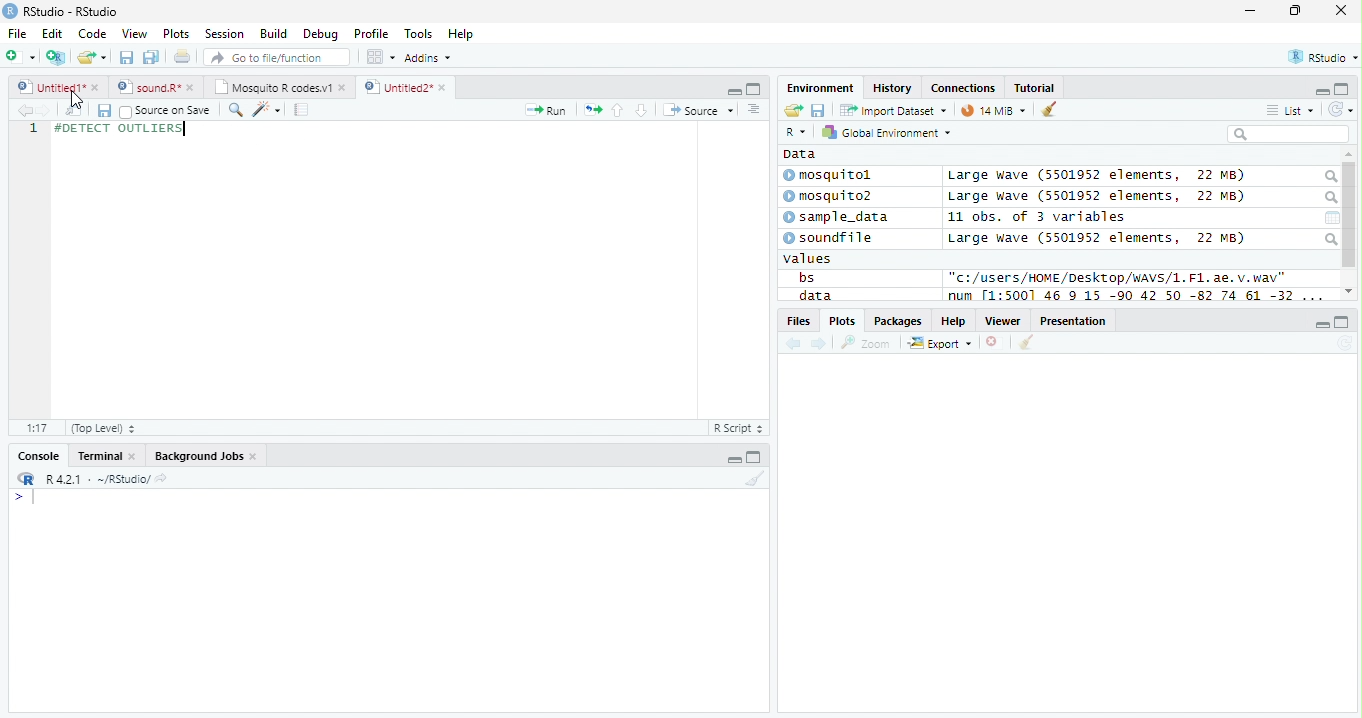 Image resolution: width=1362 pixels, height=718 pixels. Describe the element at coordinates (1342, 10) in the screenshot. I see `closse` at that location.